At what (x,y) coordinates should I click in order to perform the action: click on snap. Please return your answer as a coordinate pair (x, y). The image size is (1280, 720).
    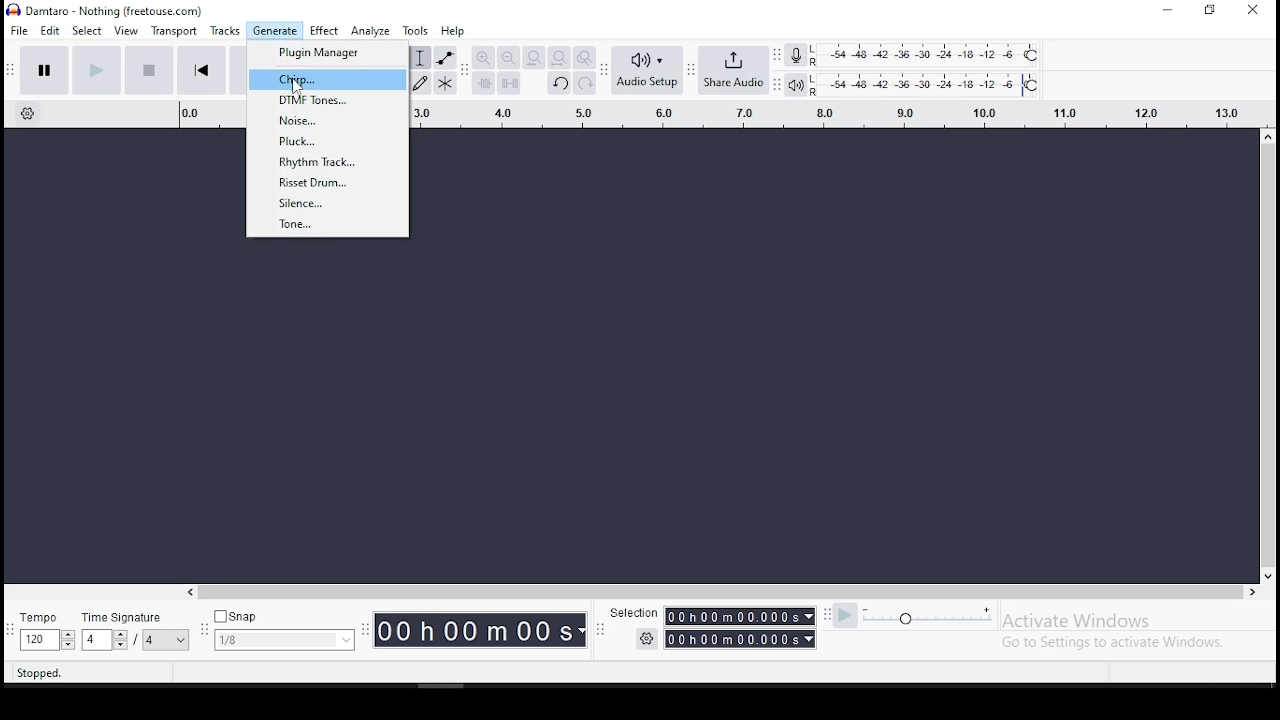
    Looking at the image, I should click on (284, 629).